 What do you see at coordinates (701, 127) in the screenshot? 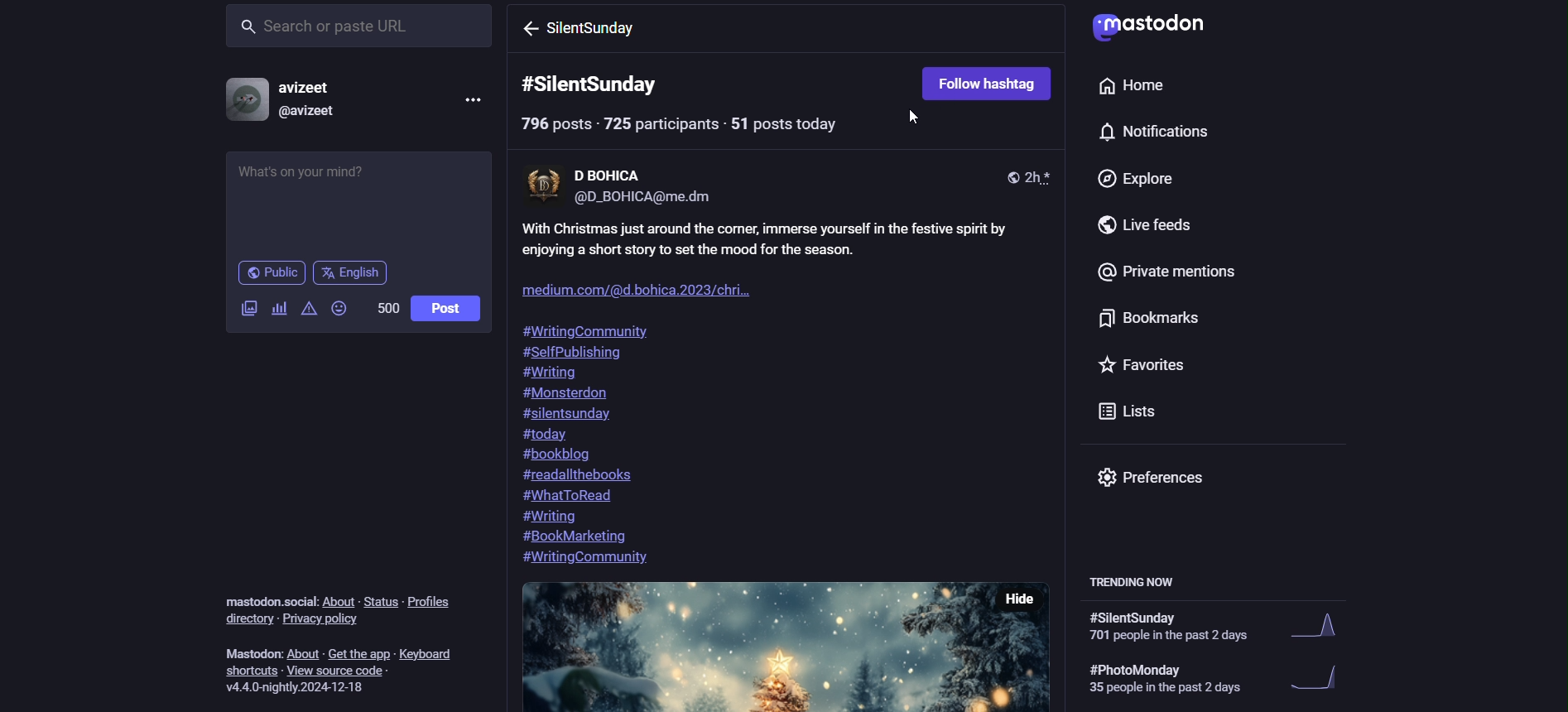
I see `796 posts - 725 participants - 51 posts today` at bounding box center [701, 127].